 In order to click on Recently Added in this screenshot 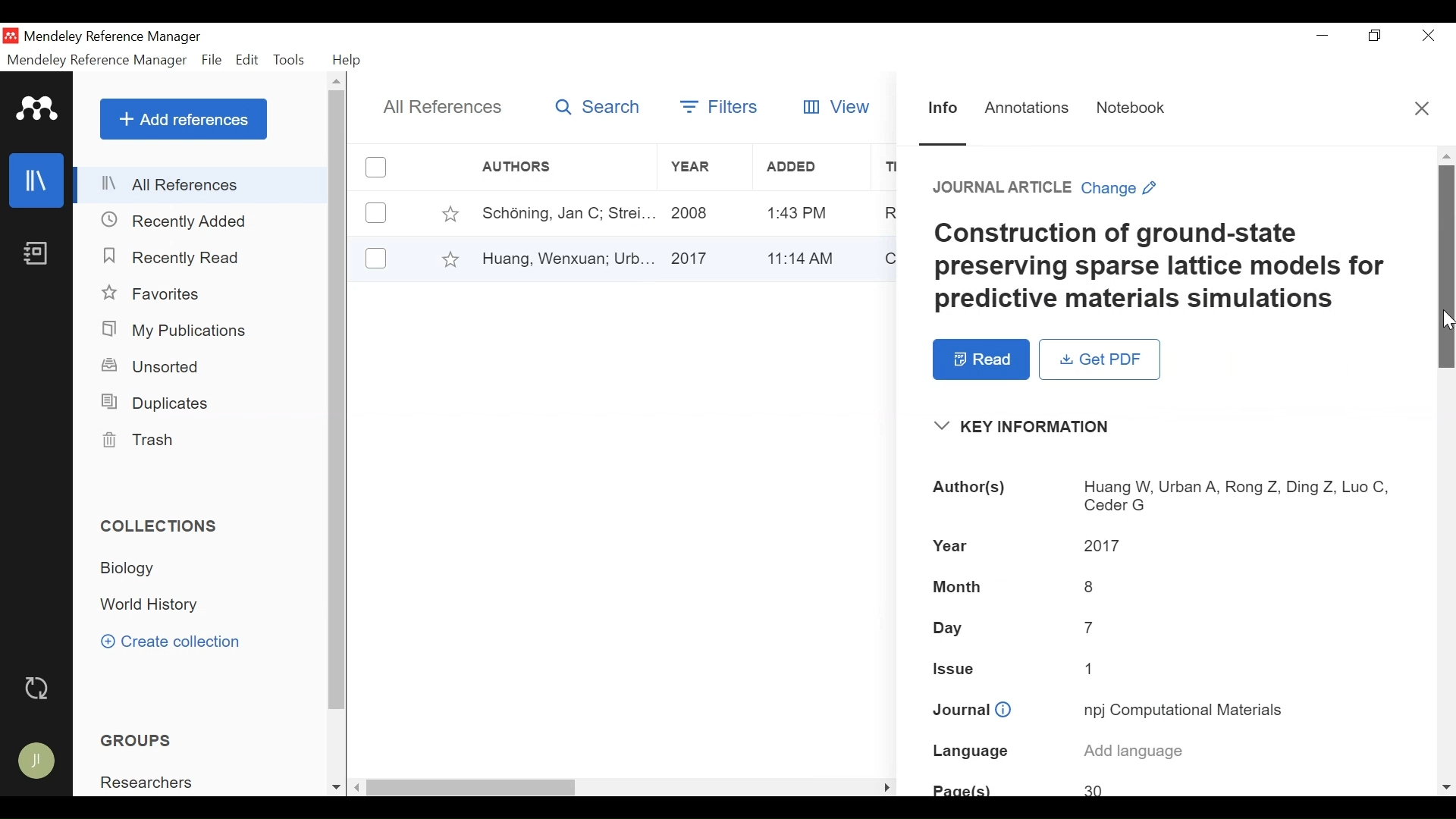, I will do `click(176, 222)`.